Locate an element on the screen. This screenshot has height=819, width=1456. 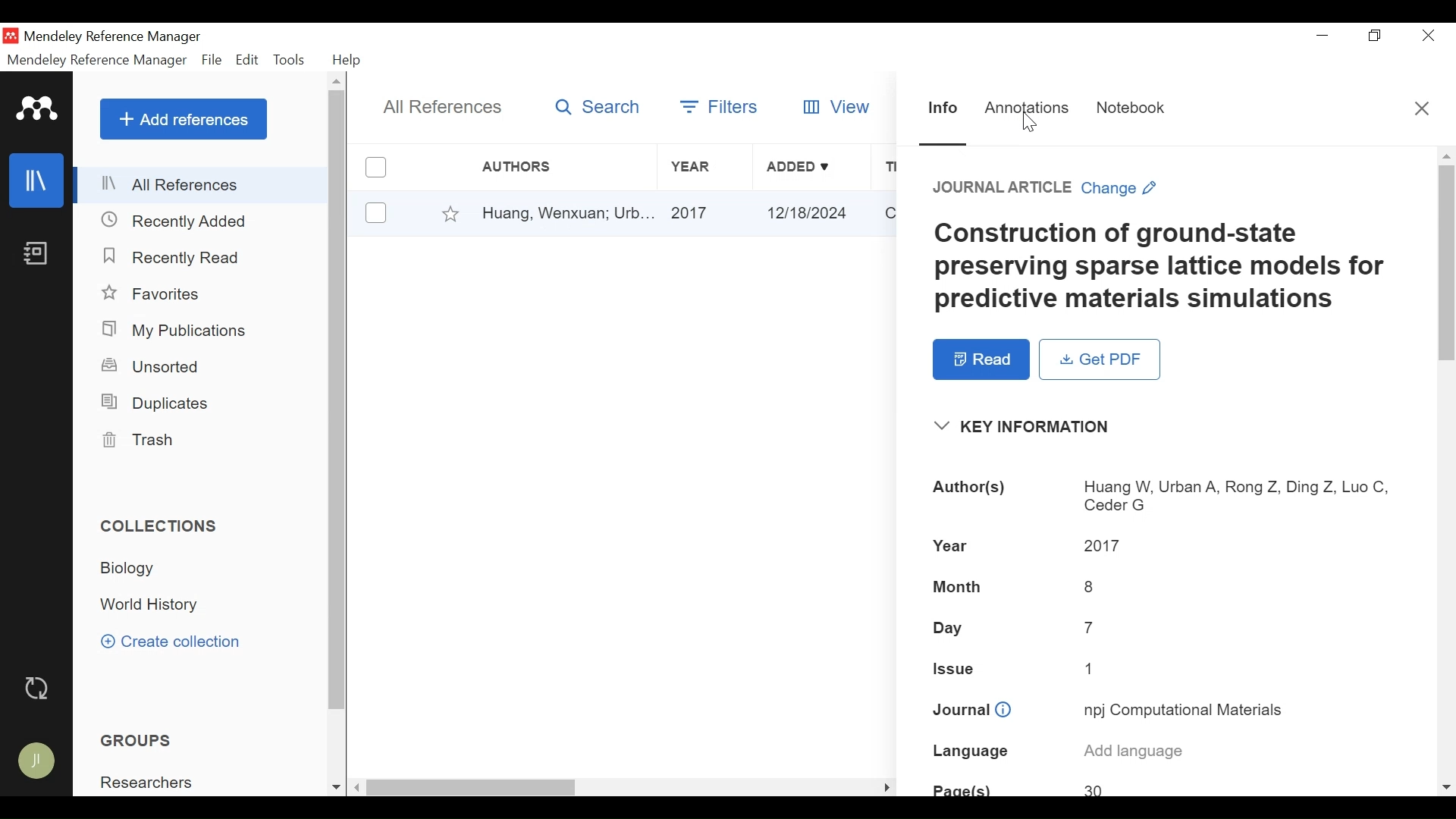
Group is located at coordinates (140, 739).